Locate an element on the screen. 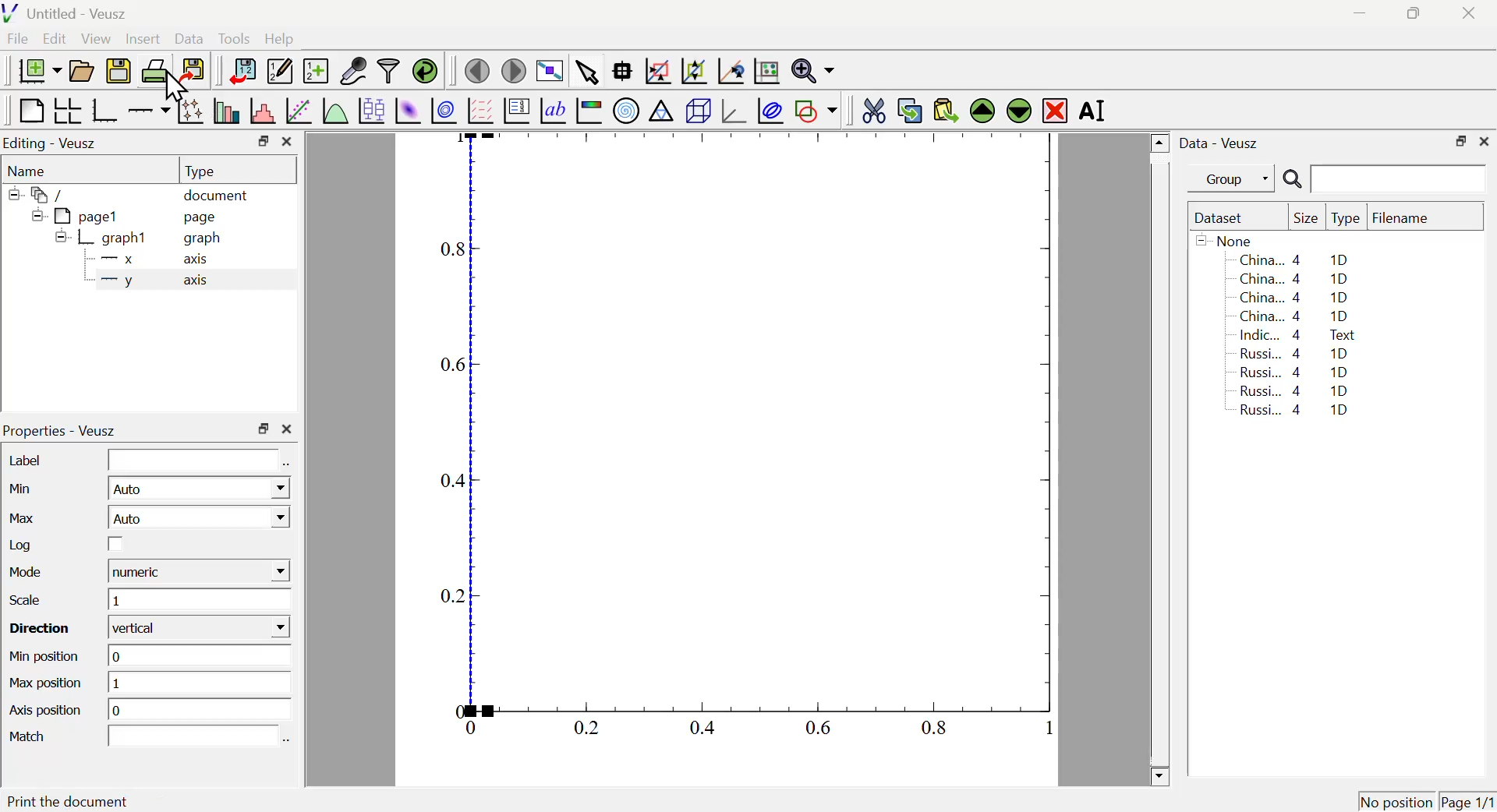 The width and height of the screenshot is (1497, 812). Russi... 4 1D is located at coordinates (1297, 353).